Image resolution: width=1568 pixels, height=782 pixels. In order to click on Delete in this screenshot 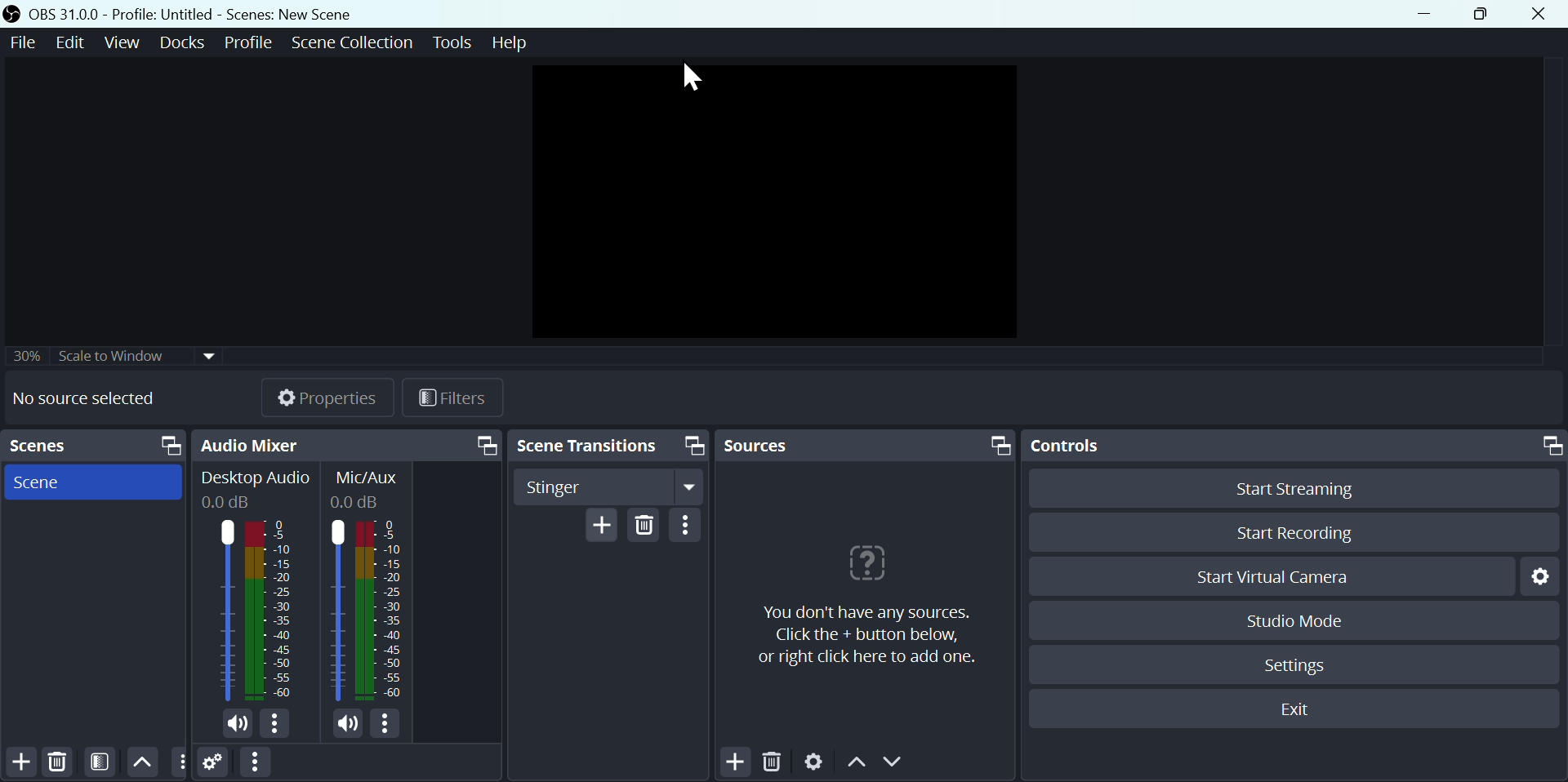, I will do `click(56, 761)`.